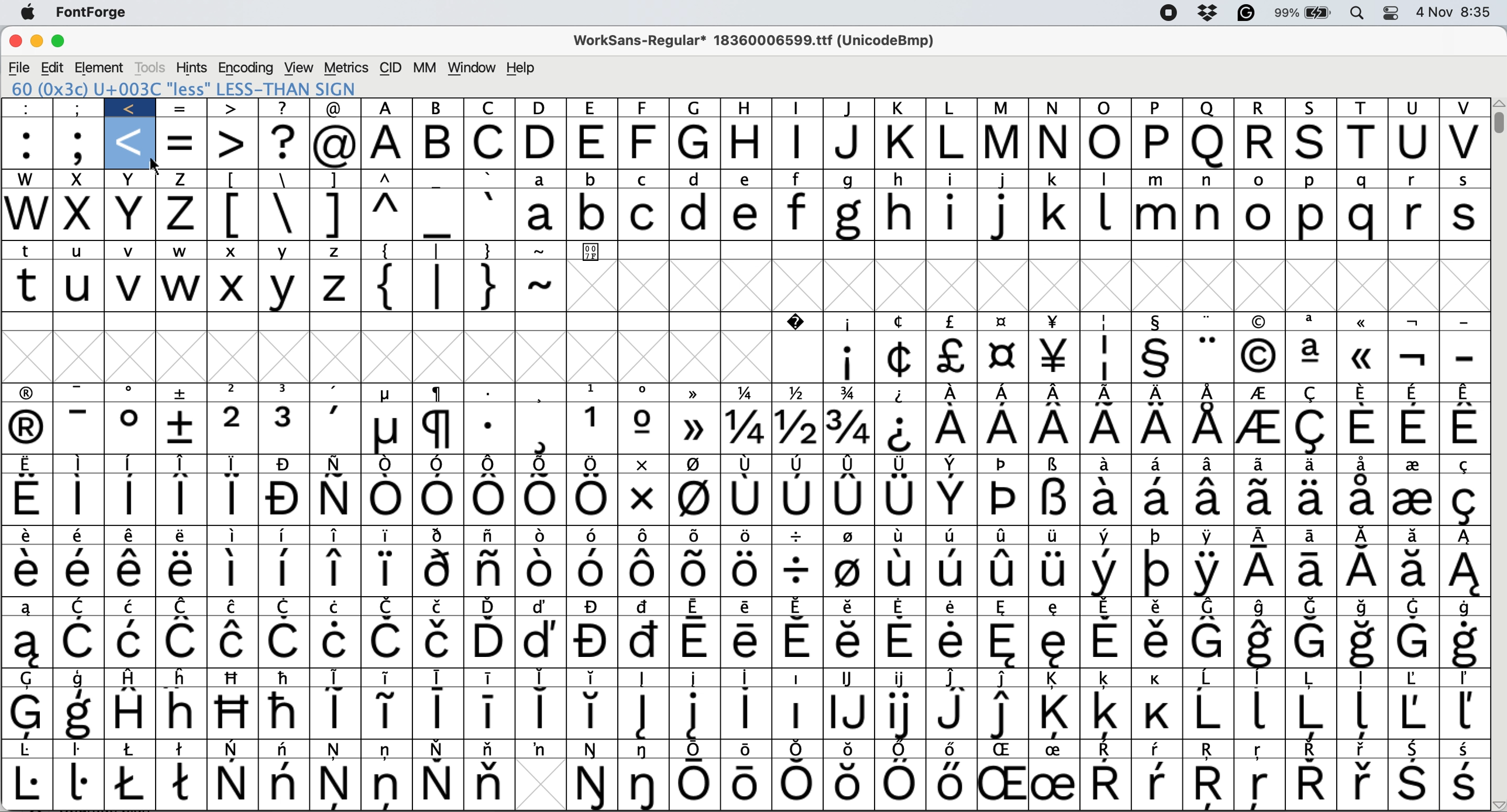 The width and height of the screenshot is (1507, 812). What do you see at coordinates (489, 464) in the screenshot?
I see `Symbol` at bounding box center [489, 464].